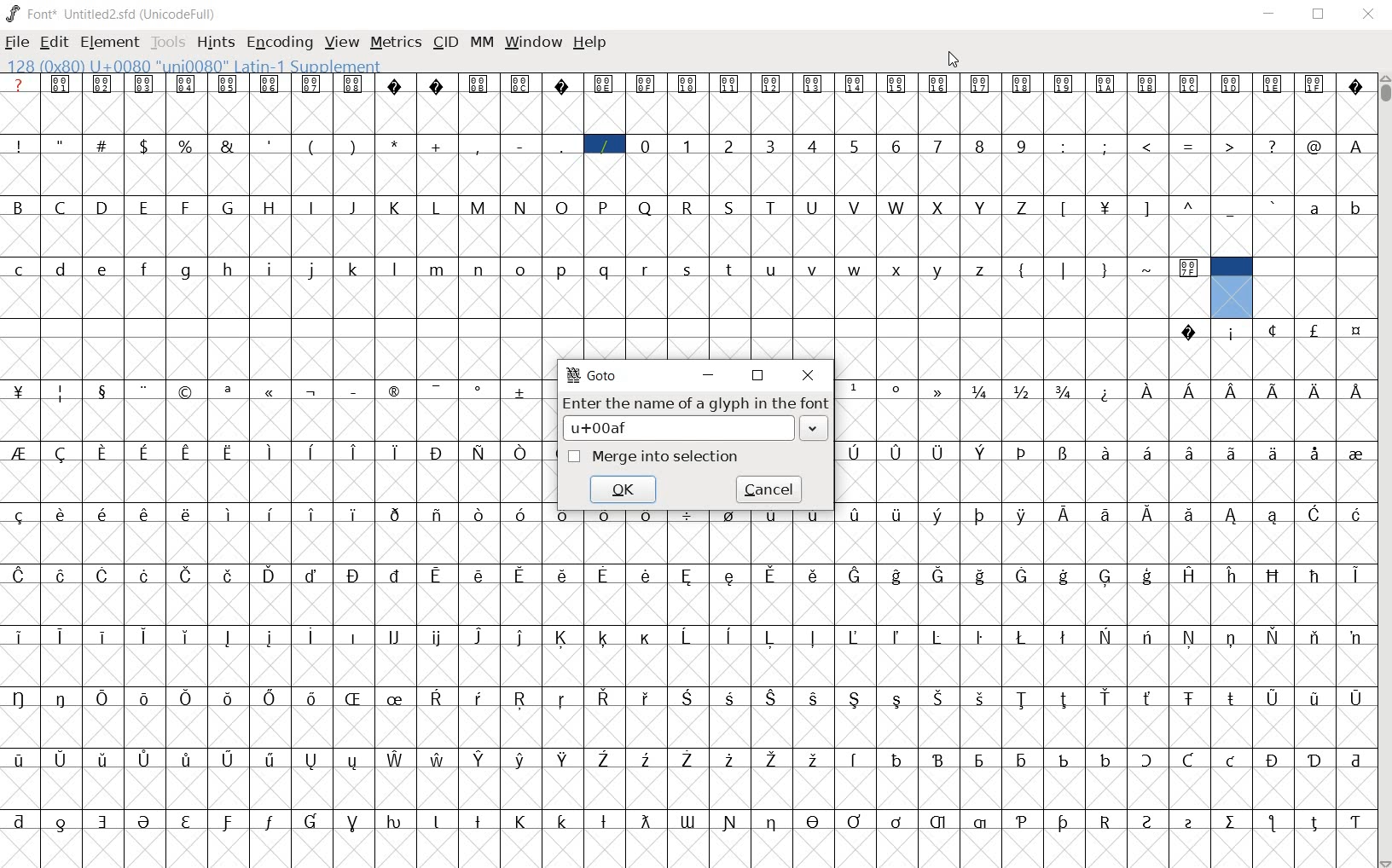 This screenshot has width=1392, height=868. I want to click on Symbol, so click(1022, 759).